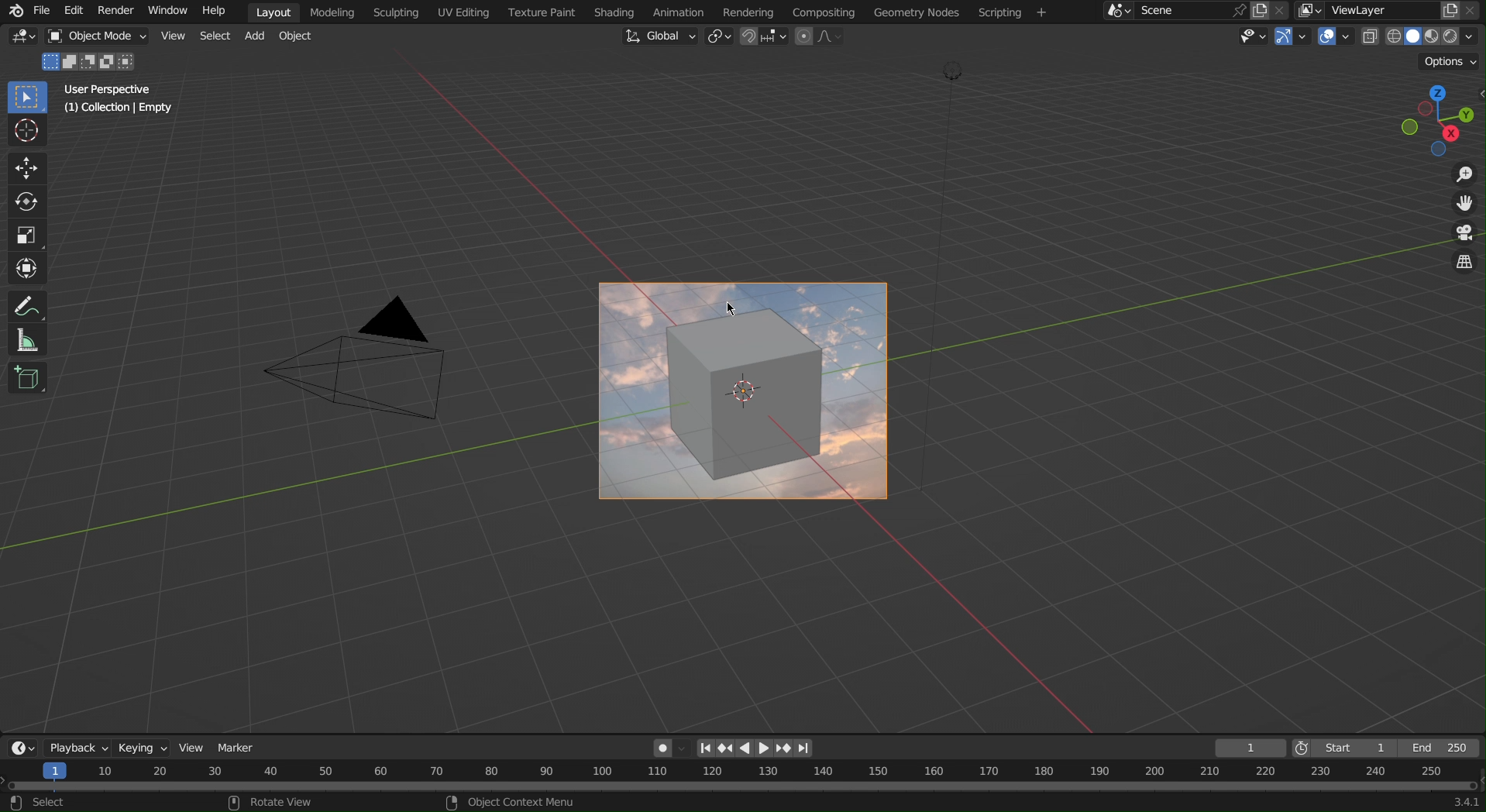  I want to click on Transform, so click(25, 267).